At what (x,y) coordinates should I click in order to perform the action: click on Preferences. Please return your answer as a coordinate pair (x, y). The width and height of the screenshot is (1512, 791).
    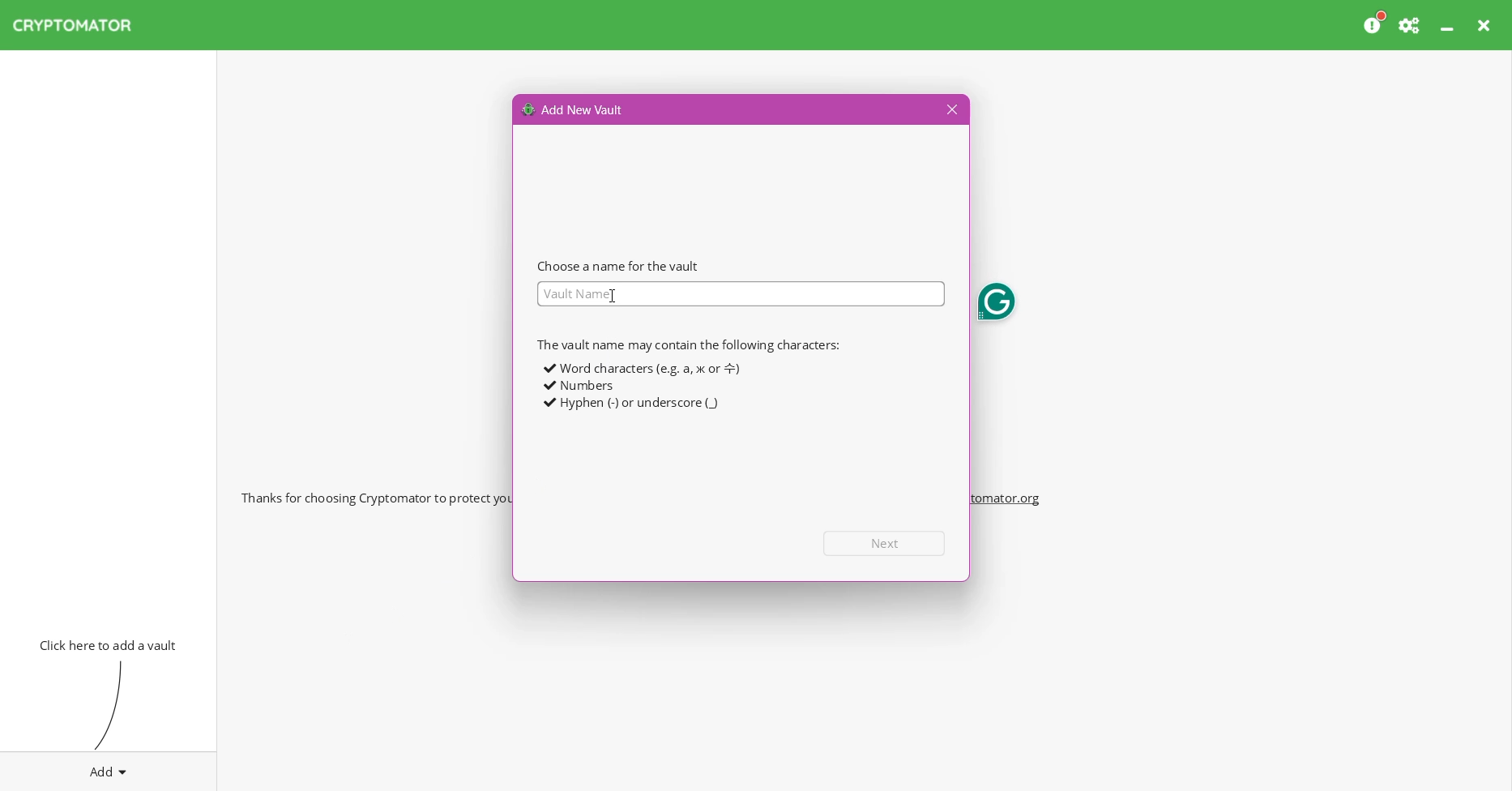
    Looking at the image, I should click on (1411, 25).